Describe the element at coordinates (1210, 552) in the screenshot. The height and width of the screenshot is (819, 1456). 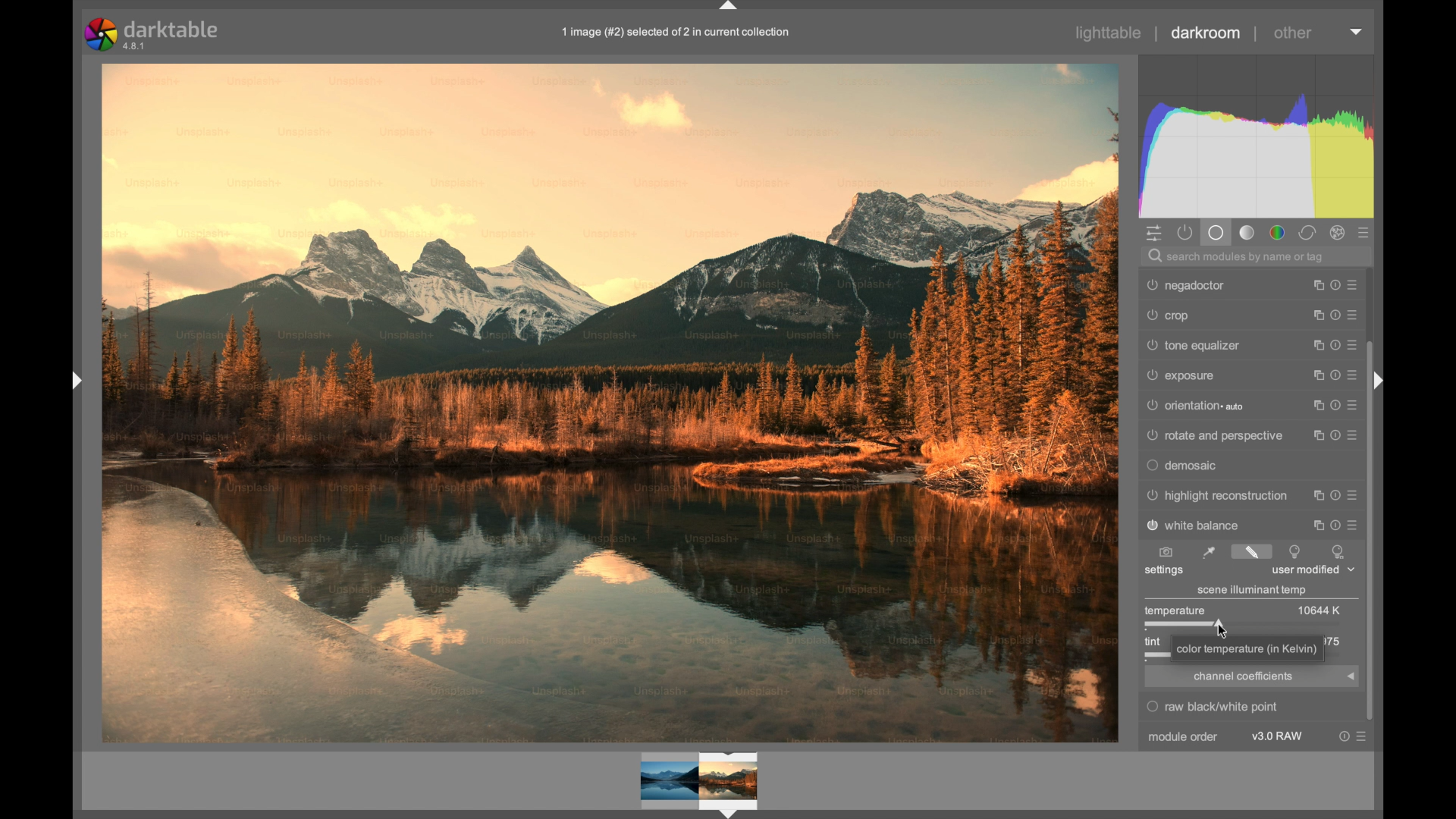
I see `set white balance` at that location.